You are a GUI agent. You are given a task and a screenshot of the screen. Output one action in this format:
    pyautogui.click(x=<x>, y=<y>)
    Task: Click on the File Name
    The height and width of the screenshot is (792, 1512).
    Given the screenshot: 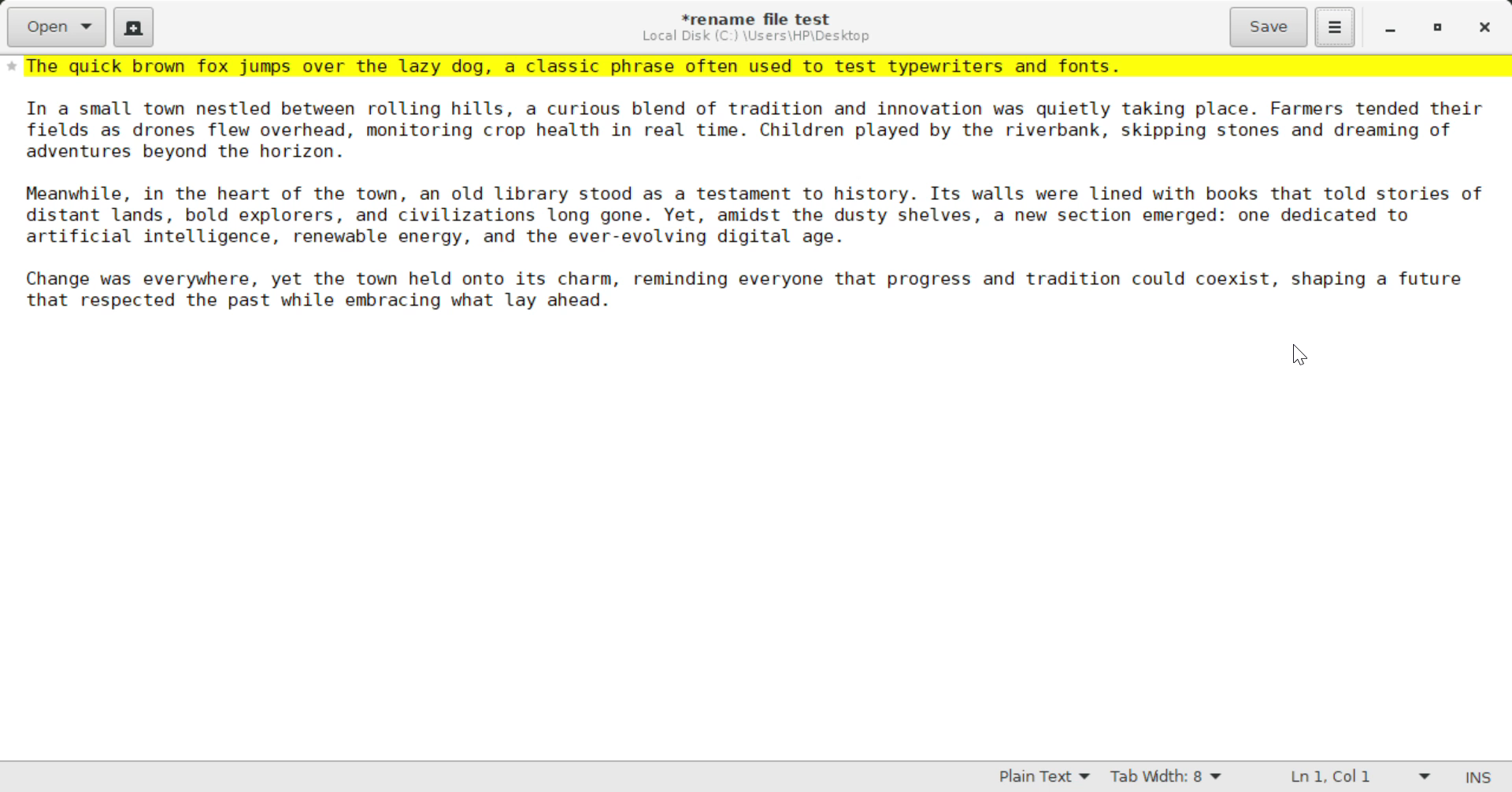 What is the action you would take?
    pyautogui.click(x=755, y=17)
    